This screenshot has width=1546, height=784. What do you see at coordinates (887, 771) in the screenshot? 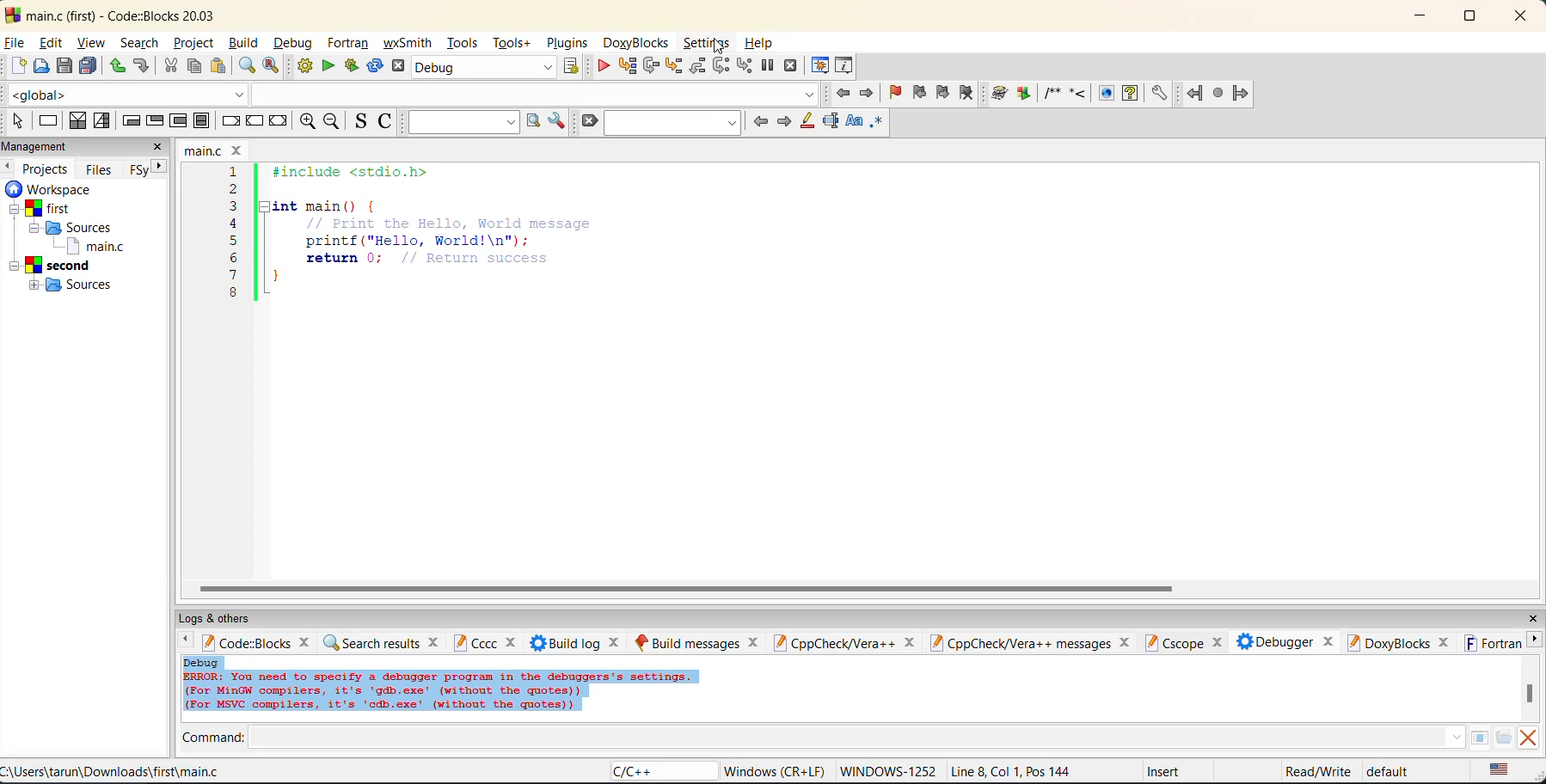
I see `'WINDOWS-1252` at bounding box center [887, 771].